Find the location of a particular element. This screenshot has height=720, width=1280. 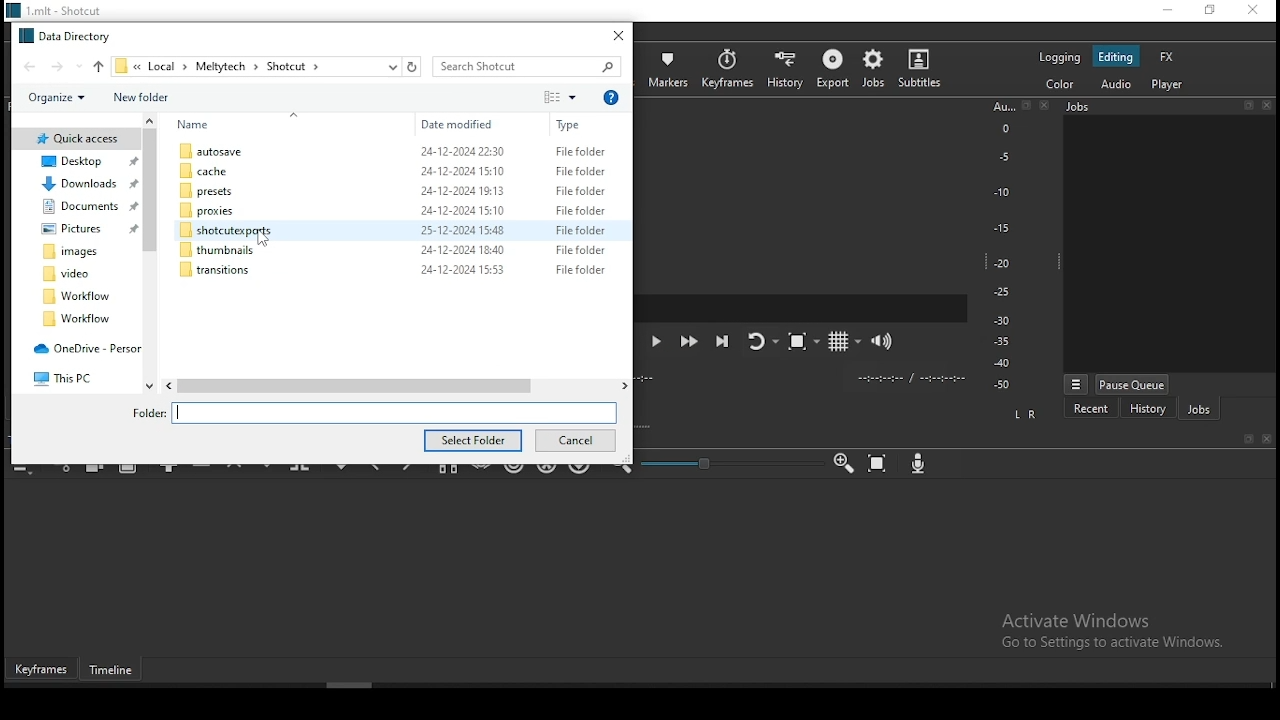

local folder is located at coordinates (215, 209).